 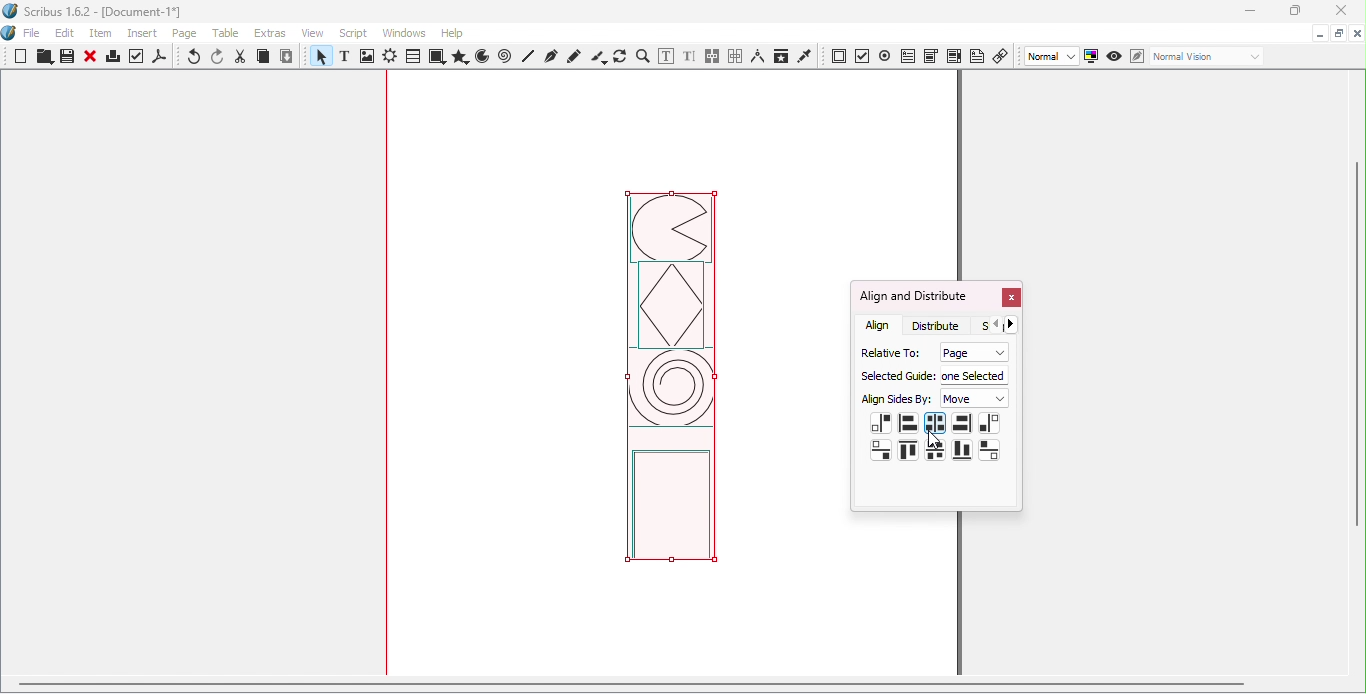 I want to click on File, so click(x=32, y=34).